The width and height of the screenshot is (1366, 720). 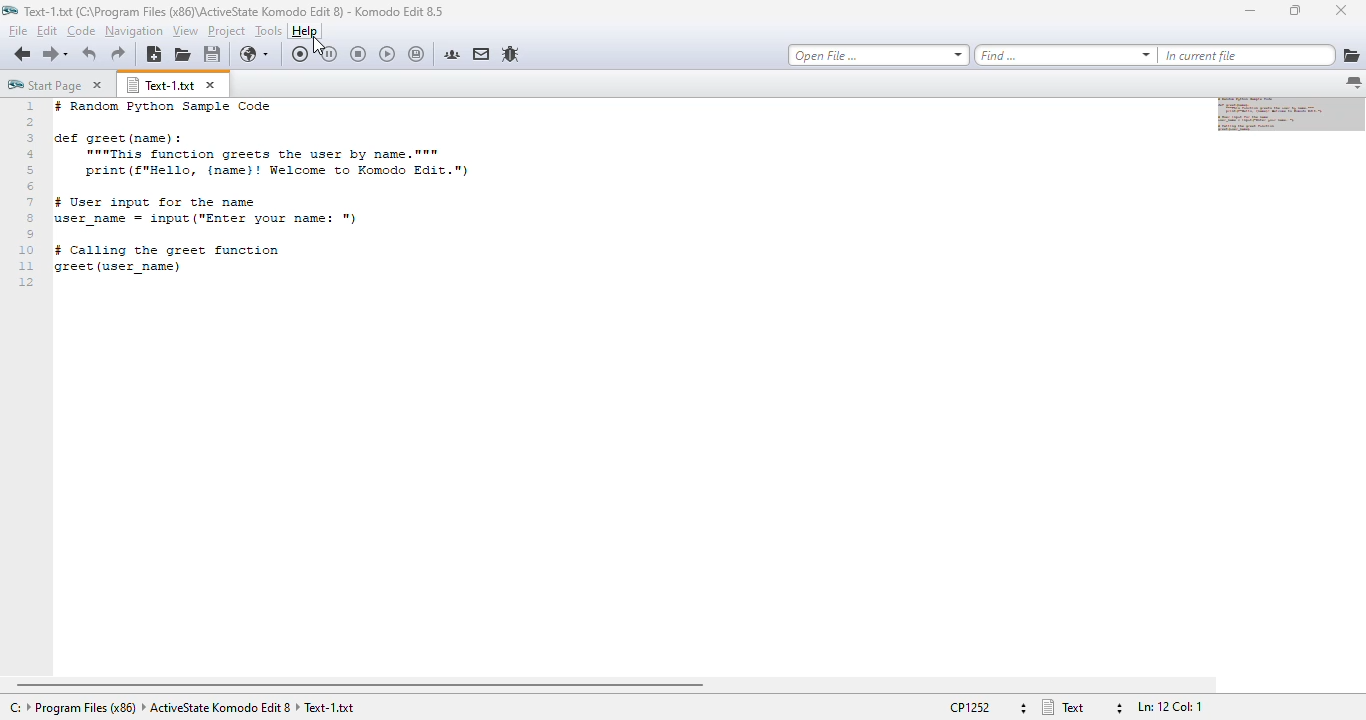 I want to click on undo last action, so click(x=90, y=55).